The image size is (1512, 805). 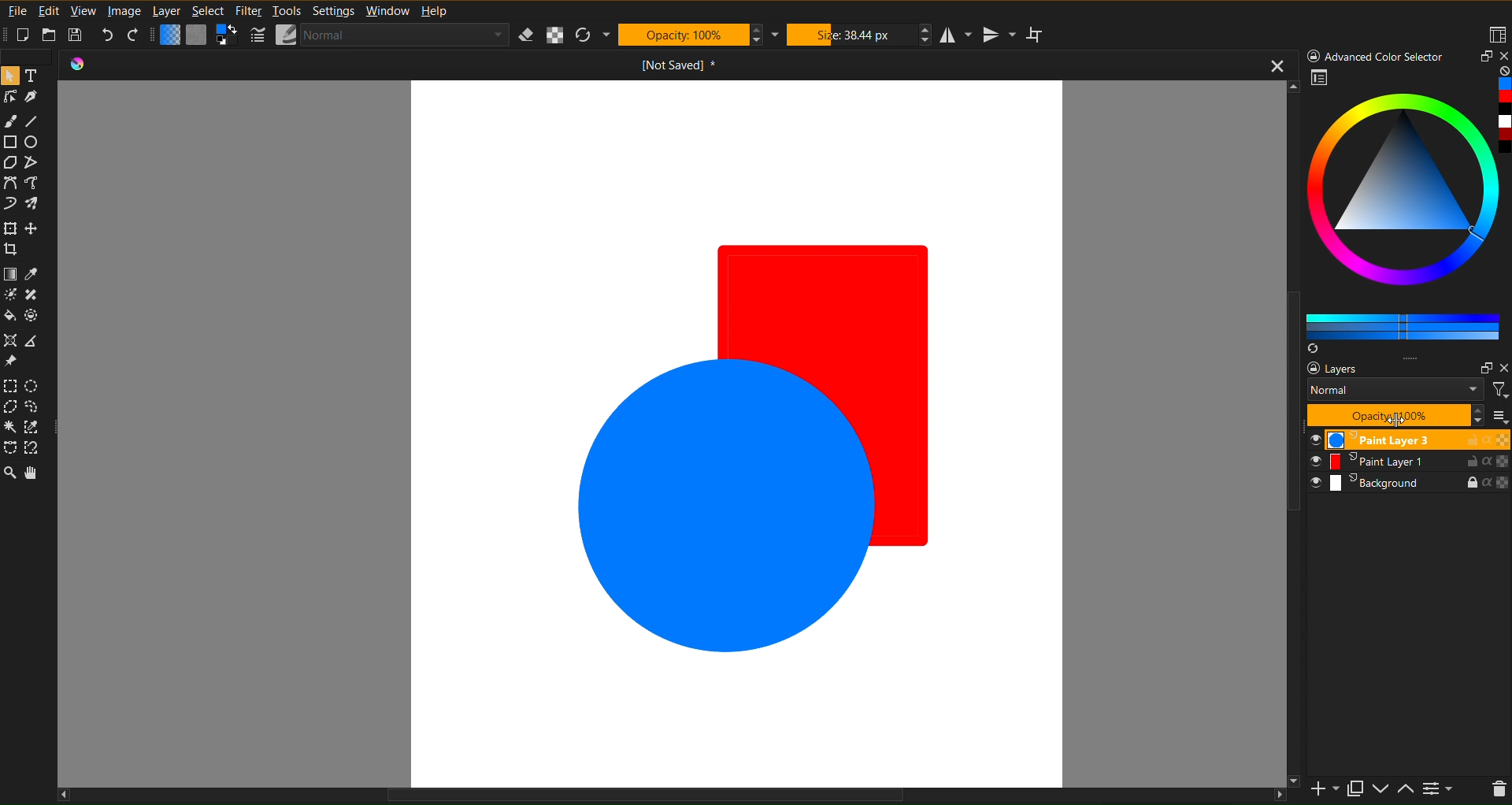 I want to click on Paint Layer 1, so click(x=1407, y=461).